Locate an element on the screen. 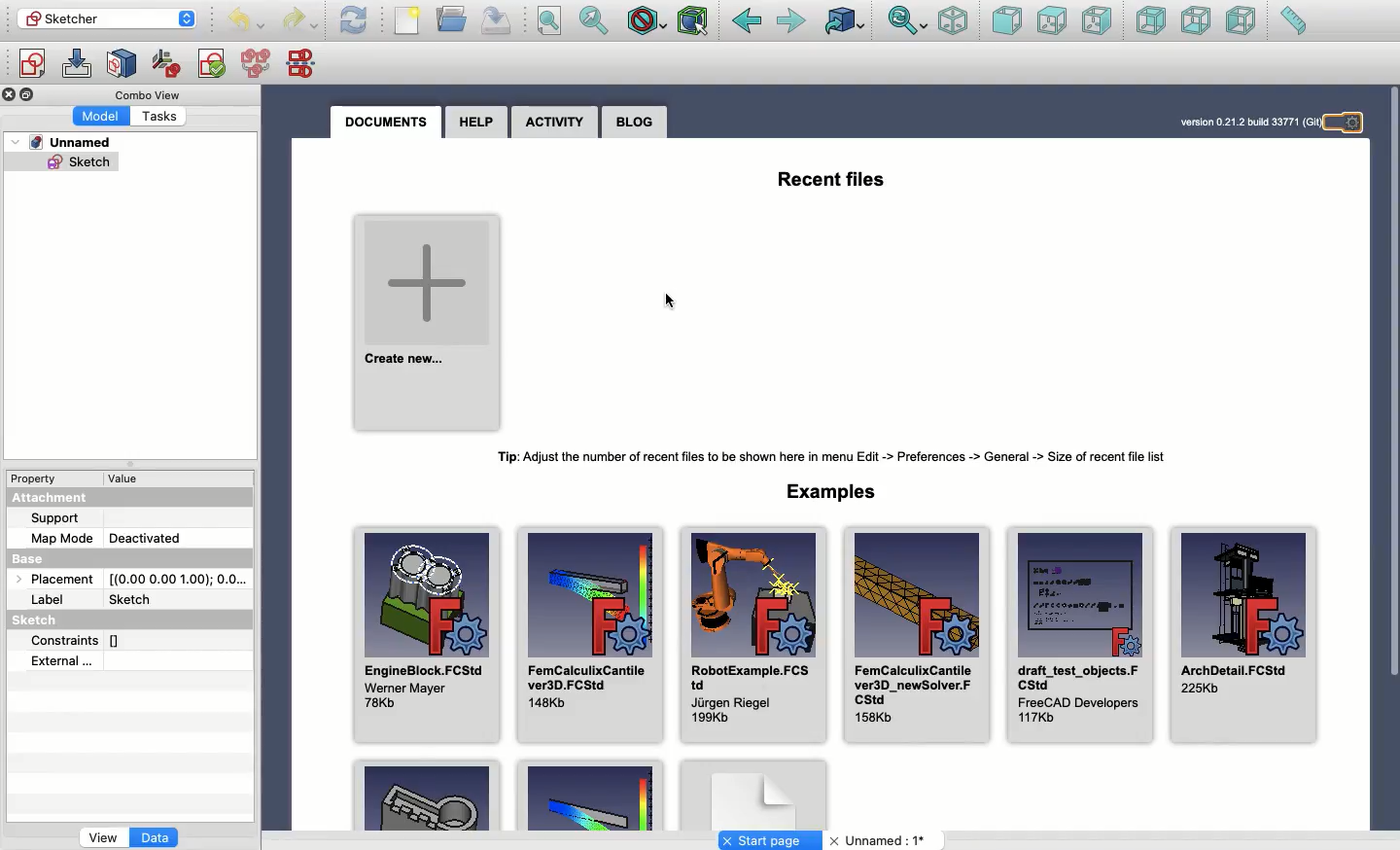 The width and height of the screenshot is (1400, 850). value is located at coordinates (127, 479).